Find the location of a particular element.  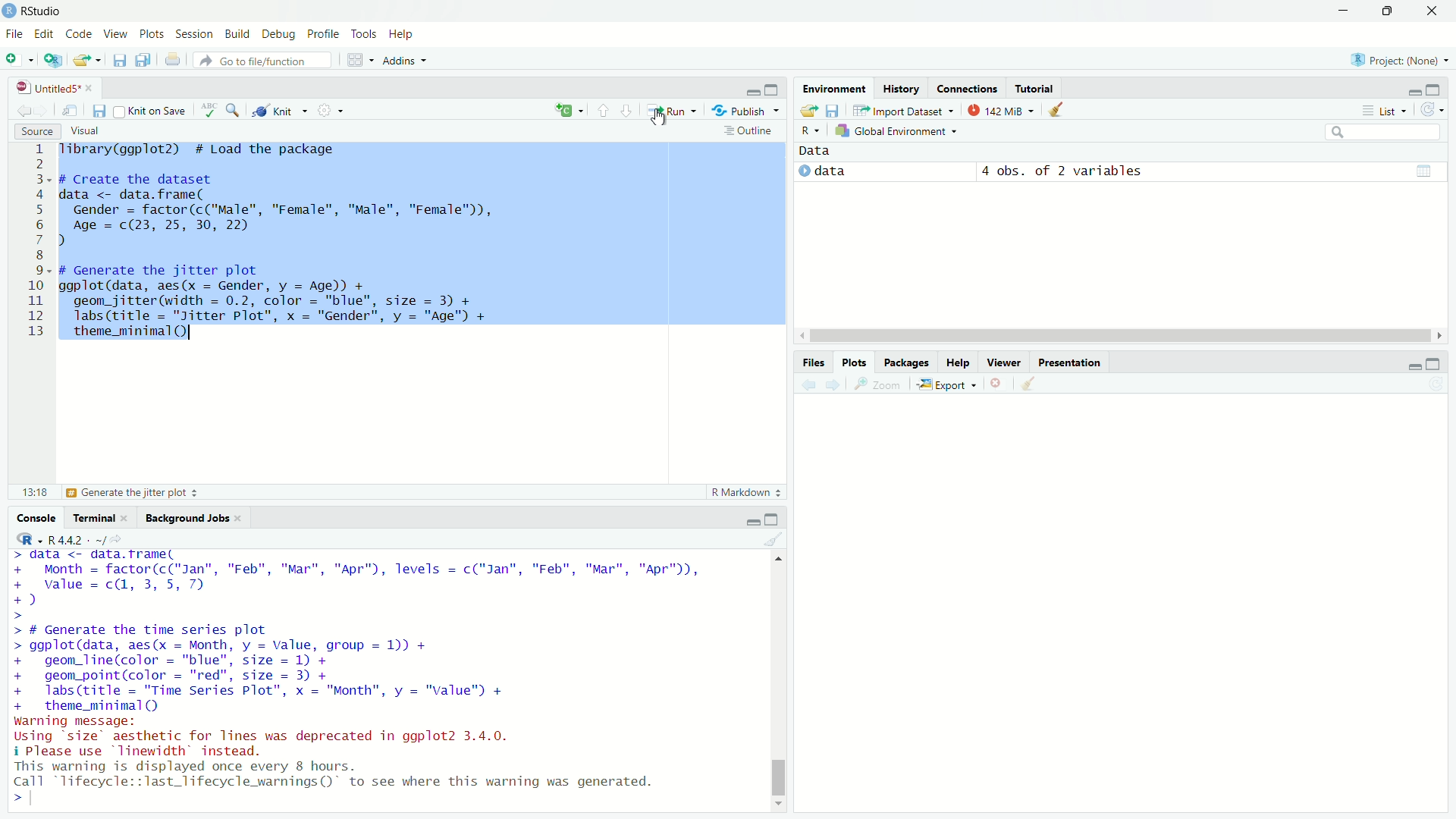

move right is located at coordinates (1439, 335).